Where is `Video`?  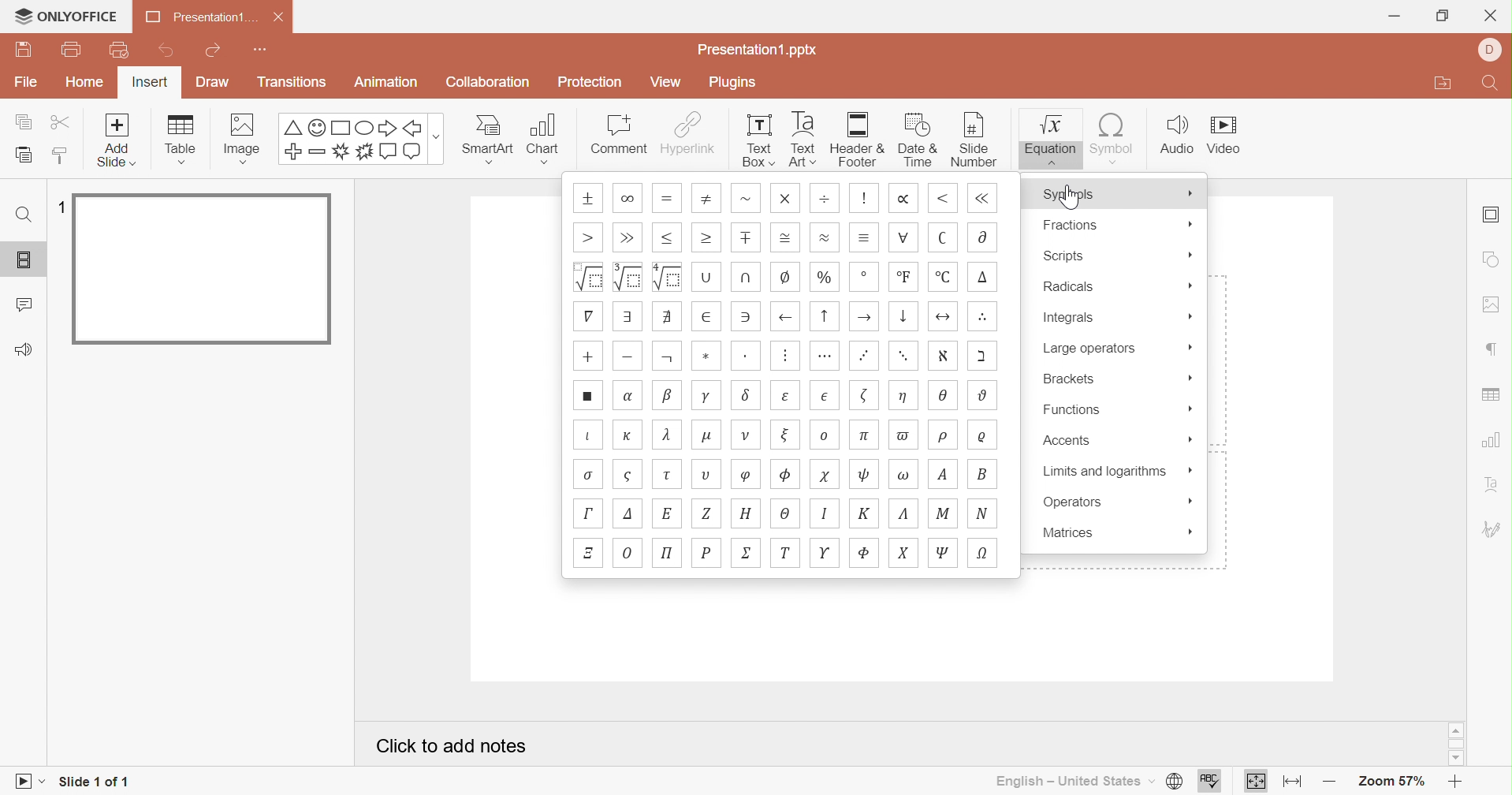 Video is located at coordinates (1228, 133).